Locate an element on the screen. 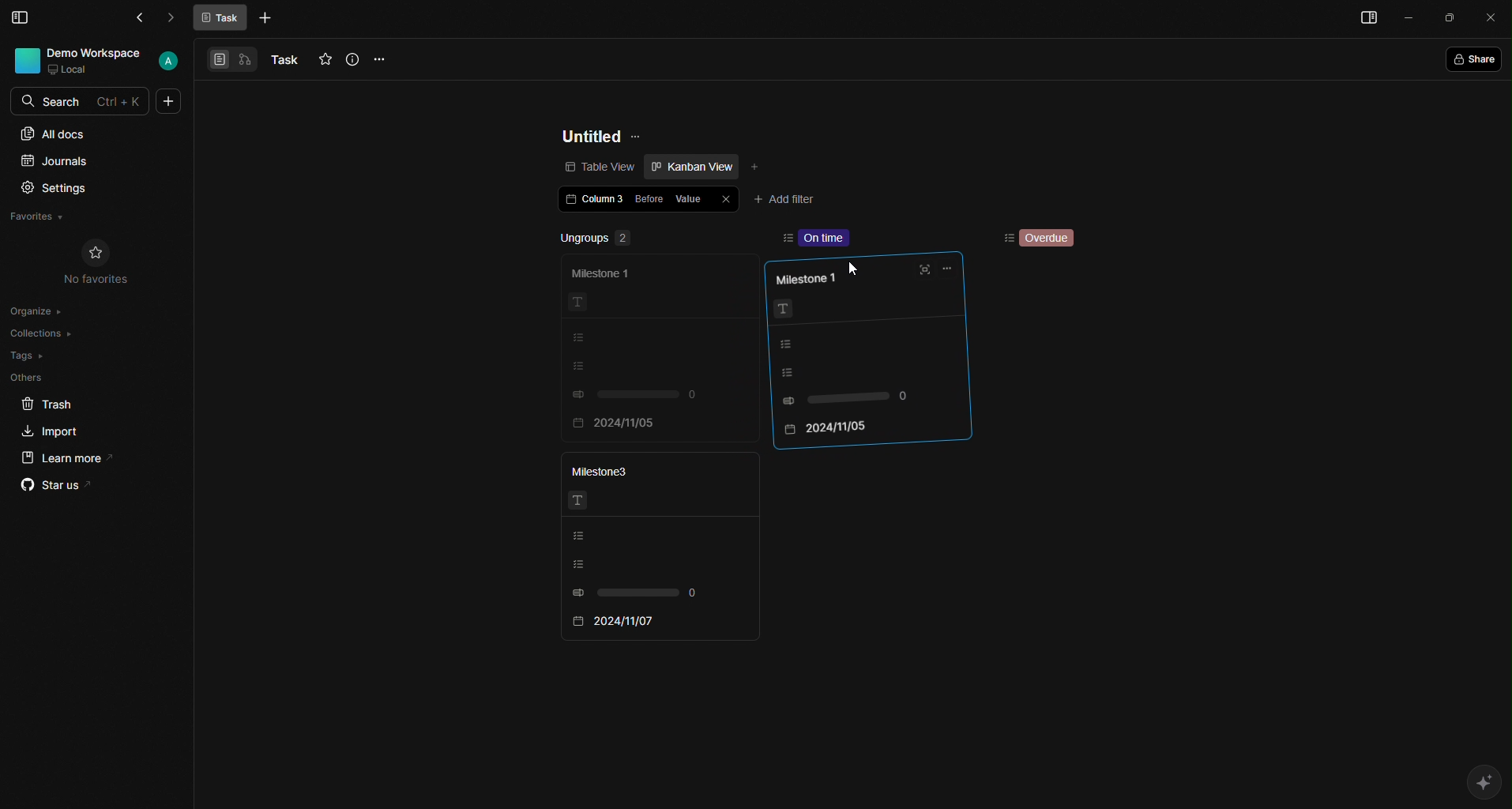 The width and height of the screenshot is (1512, 809). Overdue is located at coordinates (1050, 239).